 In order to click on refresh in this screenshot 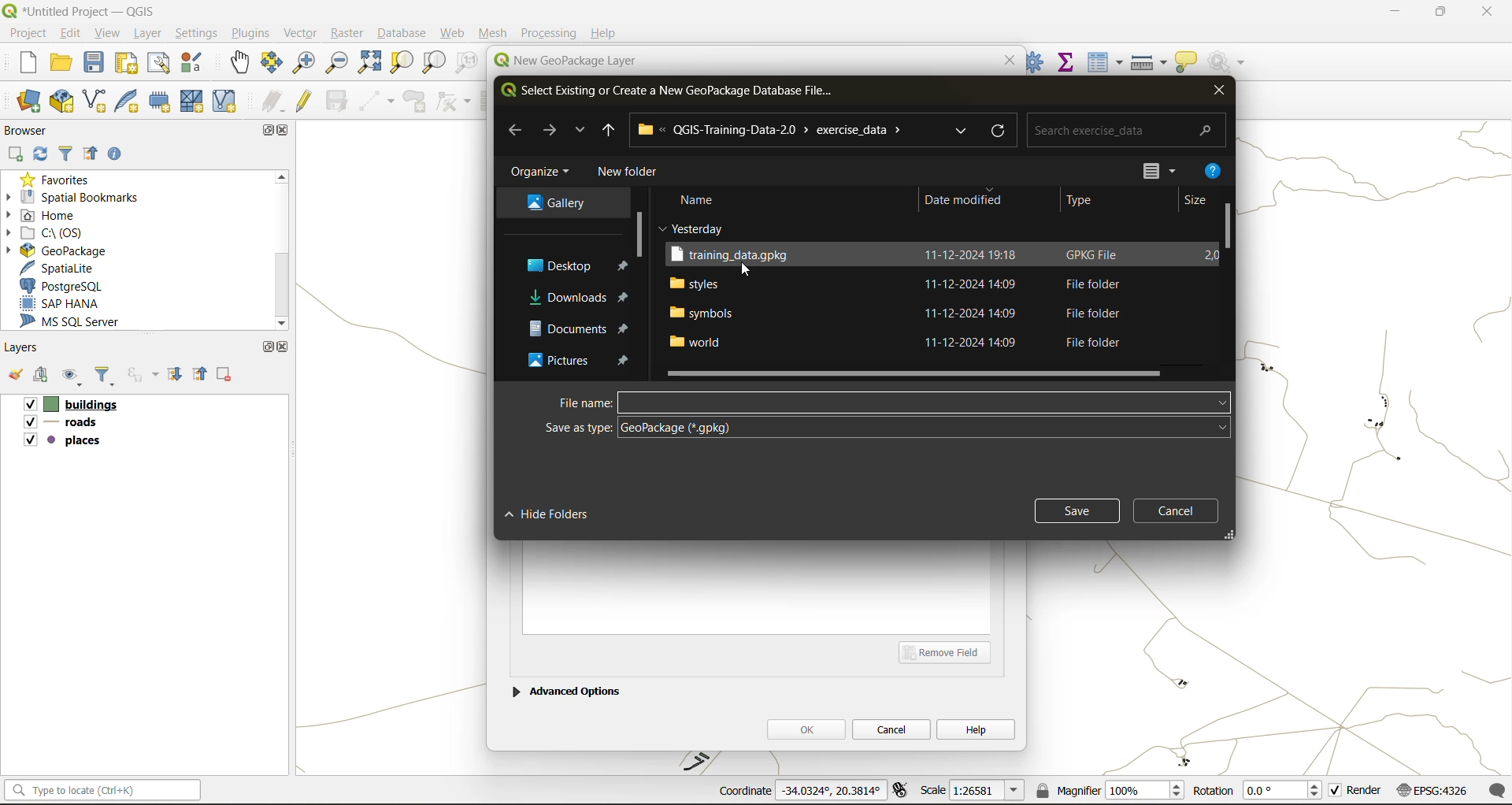, I will do `click(1001, 129)`.